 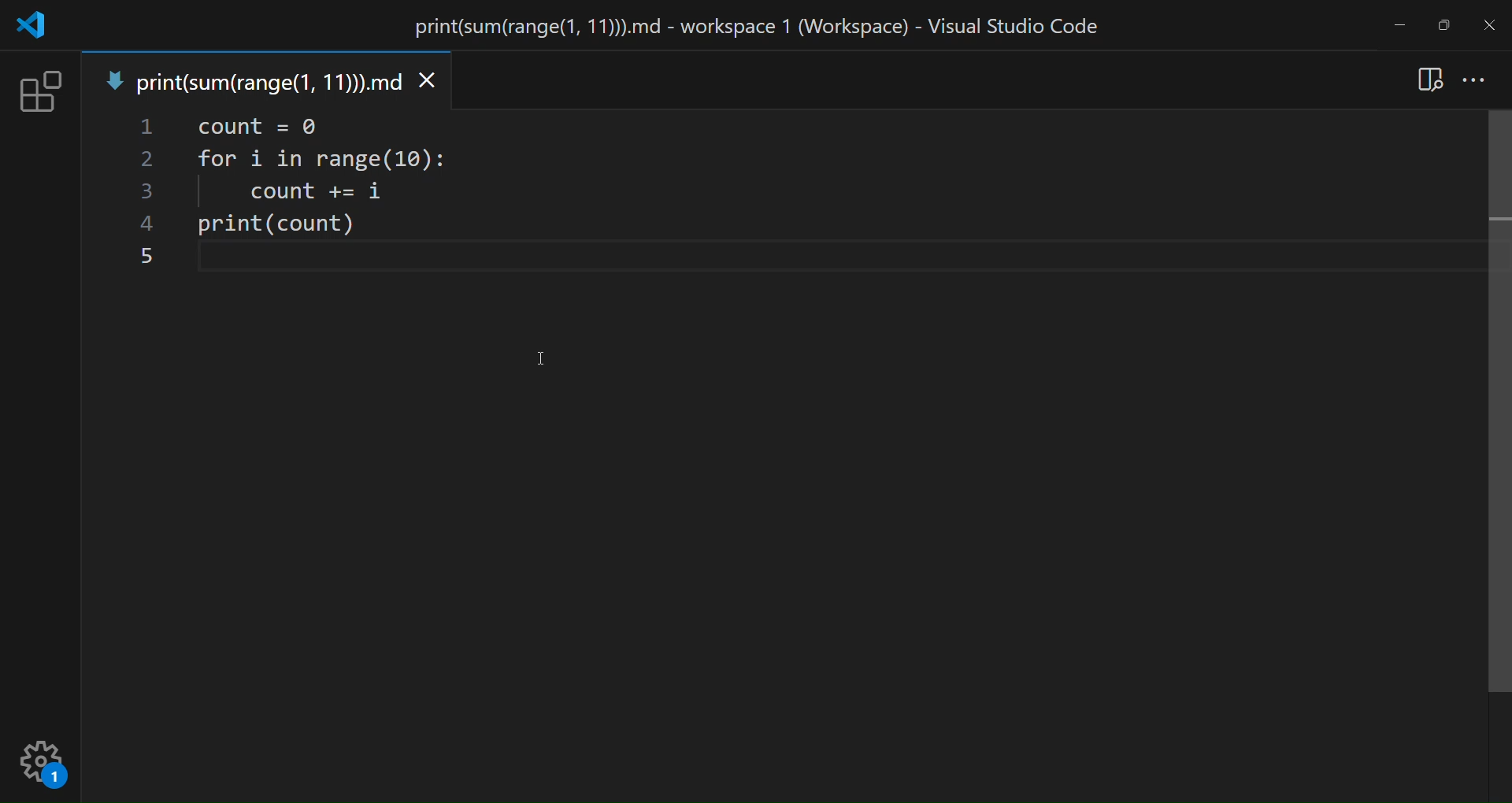 I want to click on maximize, so click(x=1439, y=25).